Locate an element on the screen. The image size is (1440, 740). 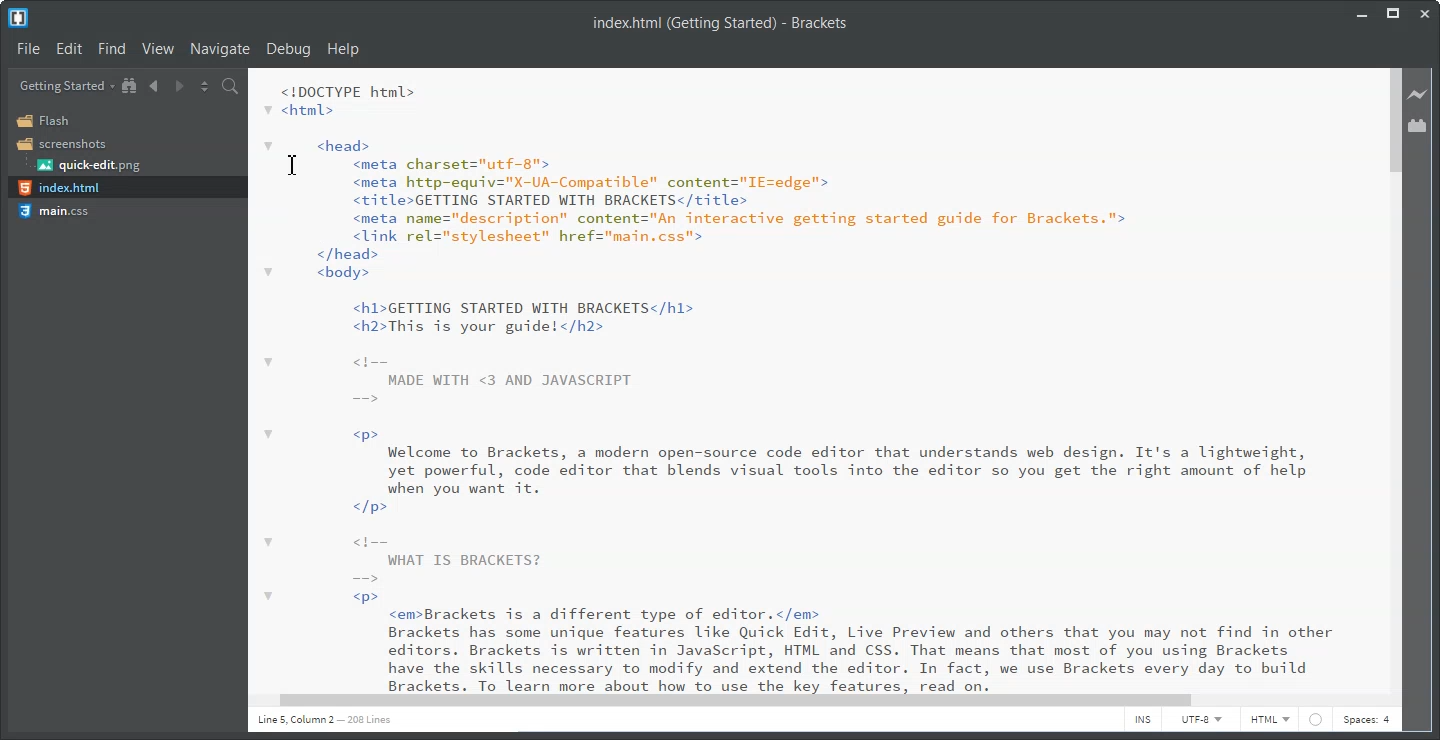
code  is located at coordinates (810, 380).